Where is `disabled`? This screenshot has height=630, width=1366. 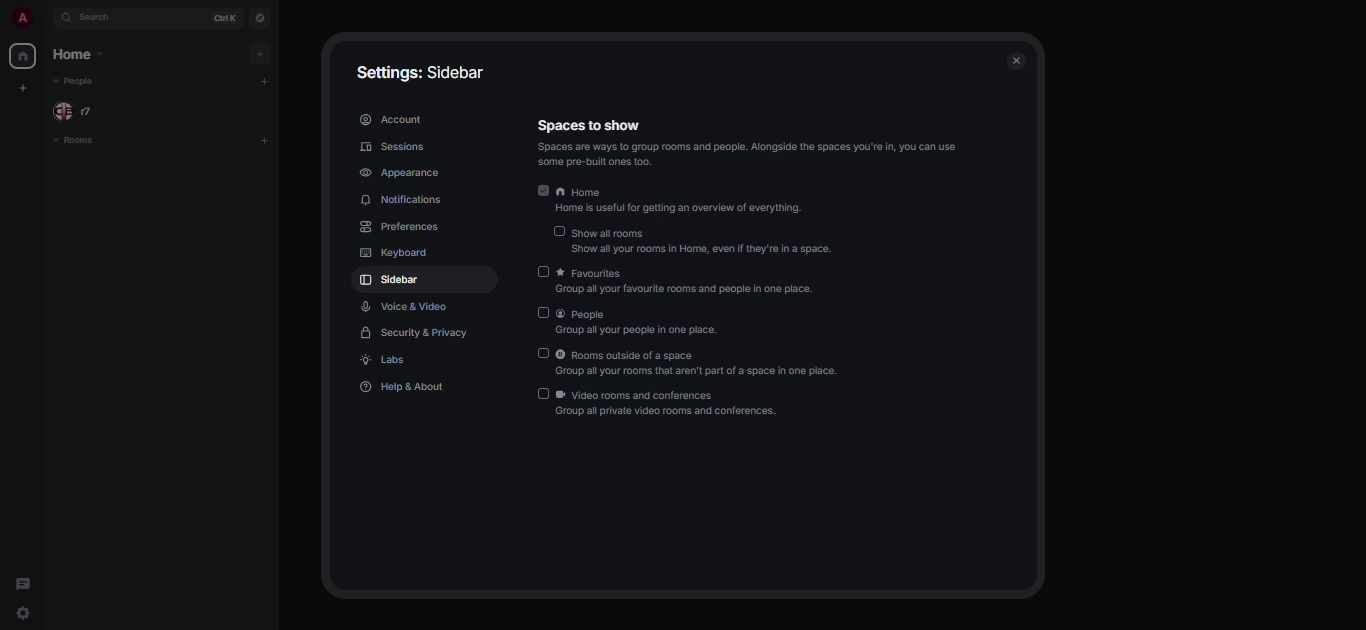 disabled is located at coordinates (545, 312).